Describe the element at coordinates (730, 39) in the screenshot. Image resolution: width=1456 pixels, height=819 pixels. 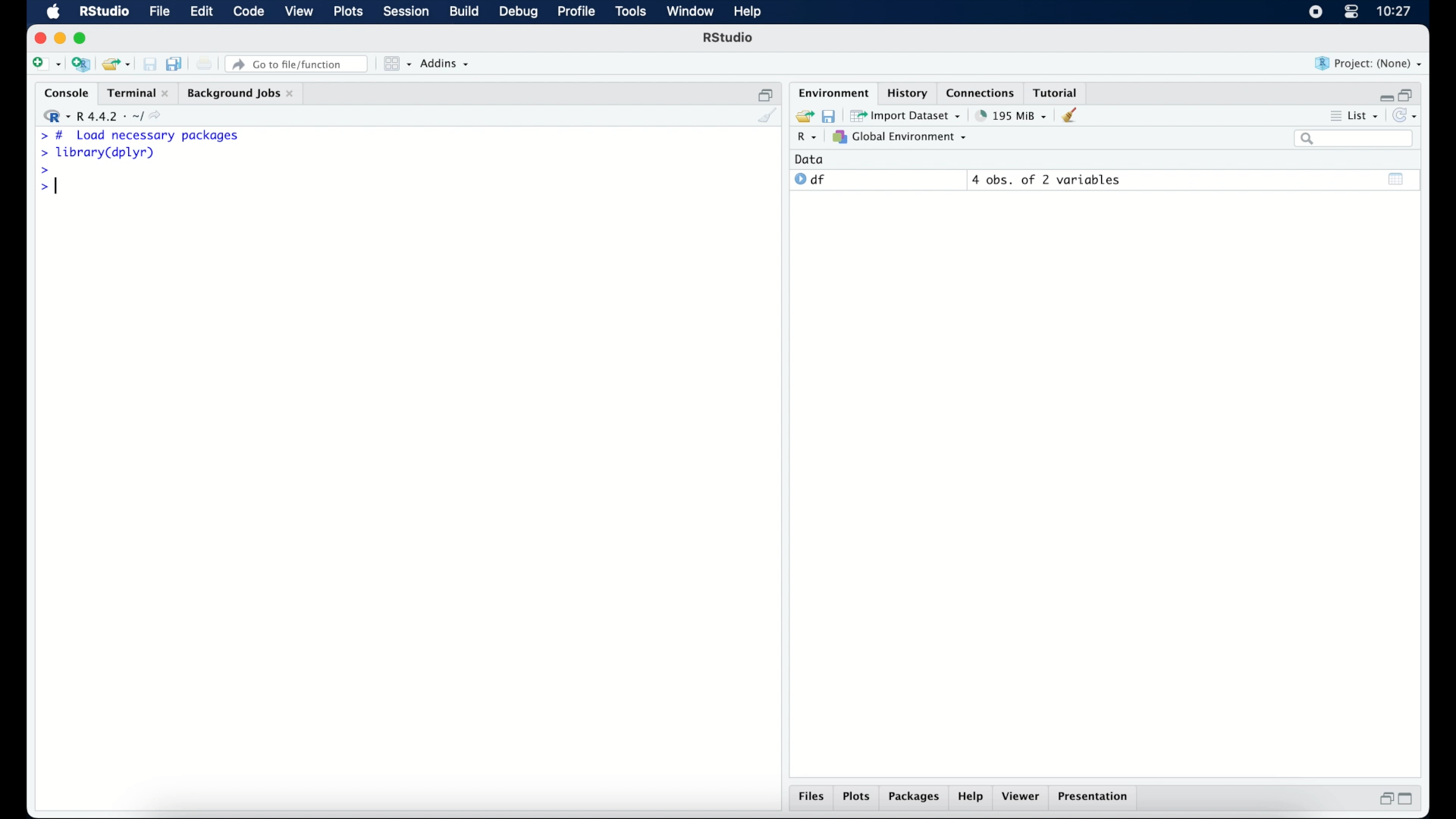
I see `R Studio` at that location.